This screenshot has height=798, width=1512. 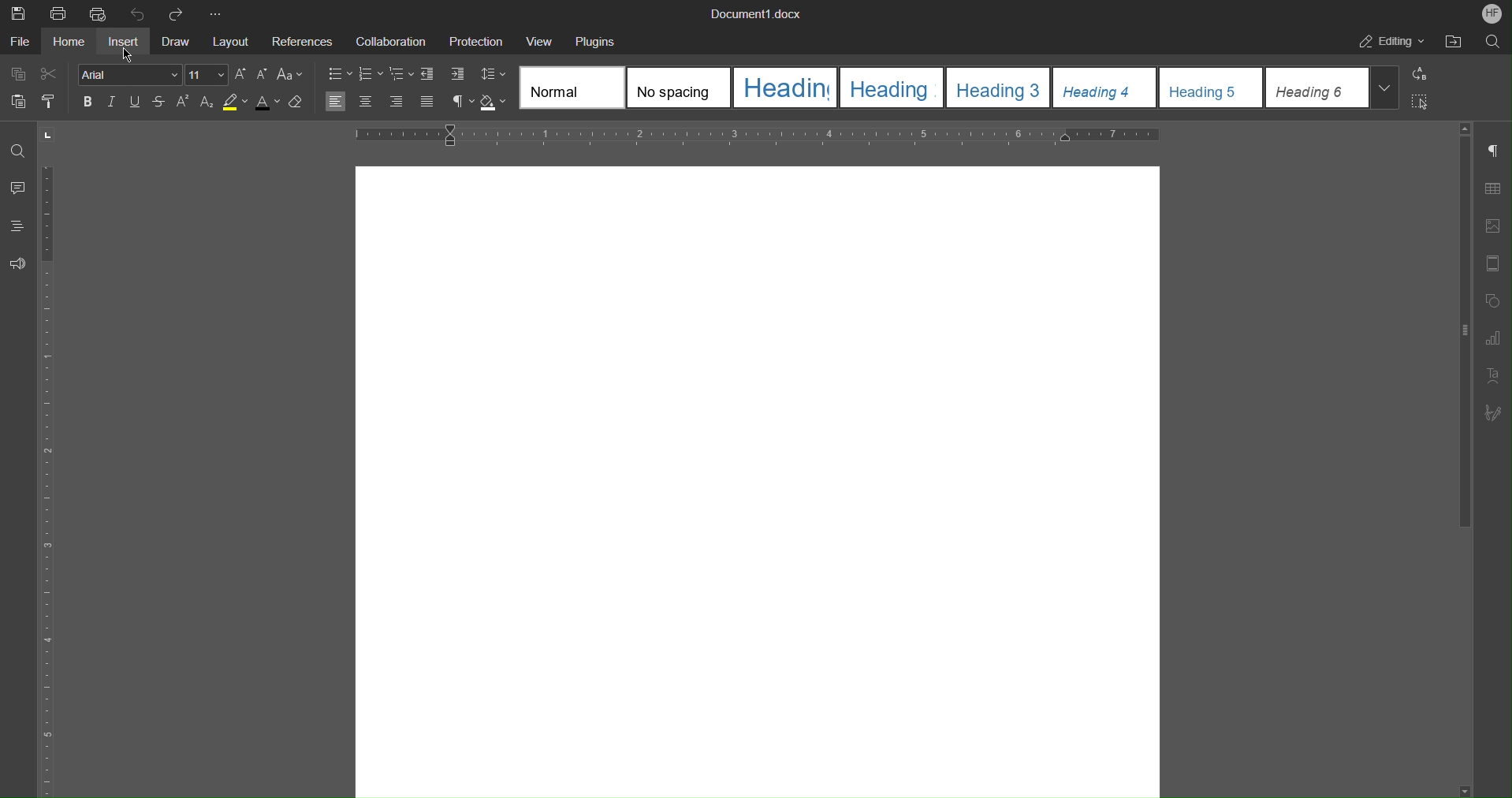 I want to click on Decrease Indent, so click(x=430, y=76).